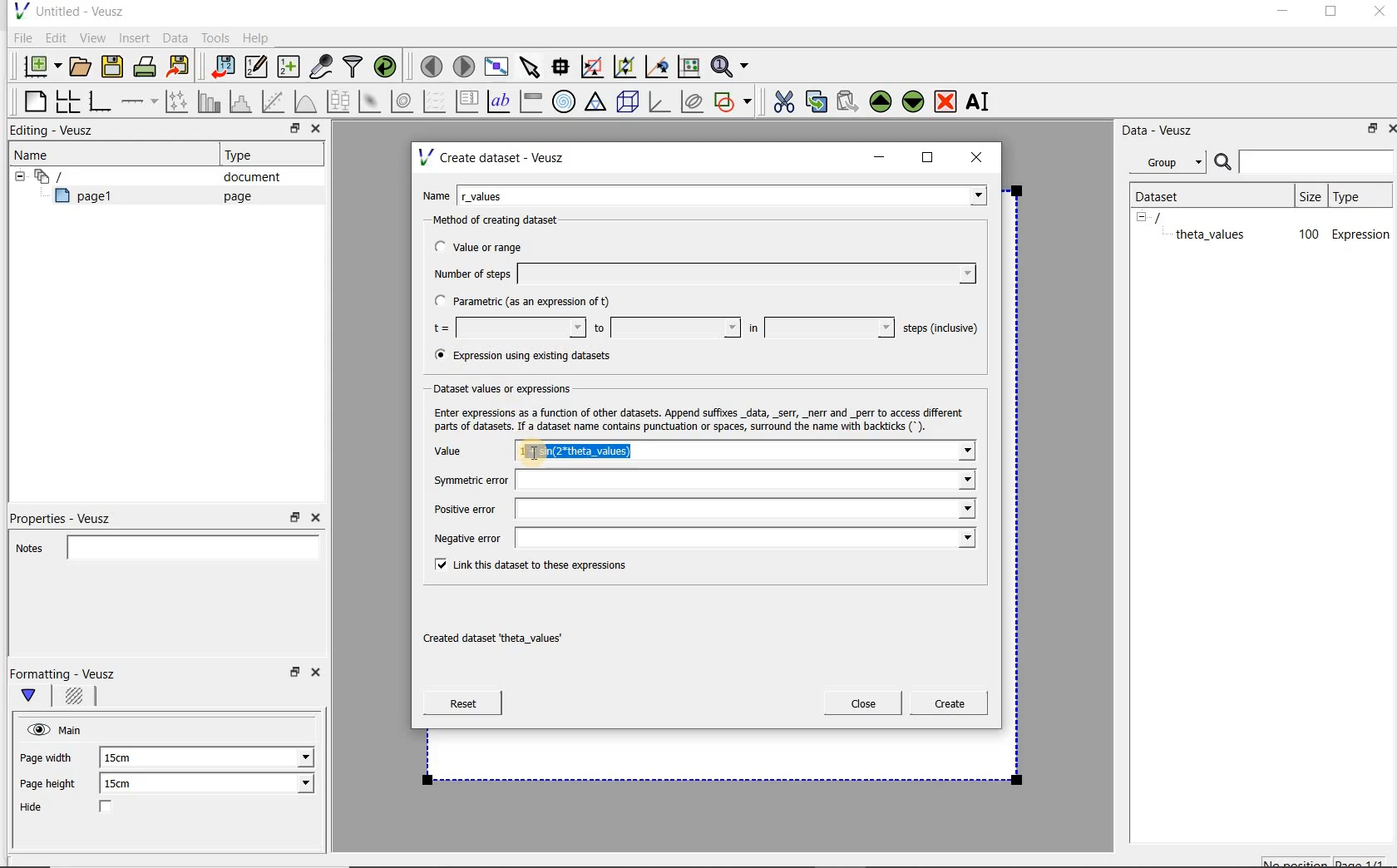 The image size is (1397, 868). Describe the element at coordinates (494, 157) in the screenshot. I see `Create dataset - Veusz` at that location.